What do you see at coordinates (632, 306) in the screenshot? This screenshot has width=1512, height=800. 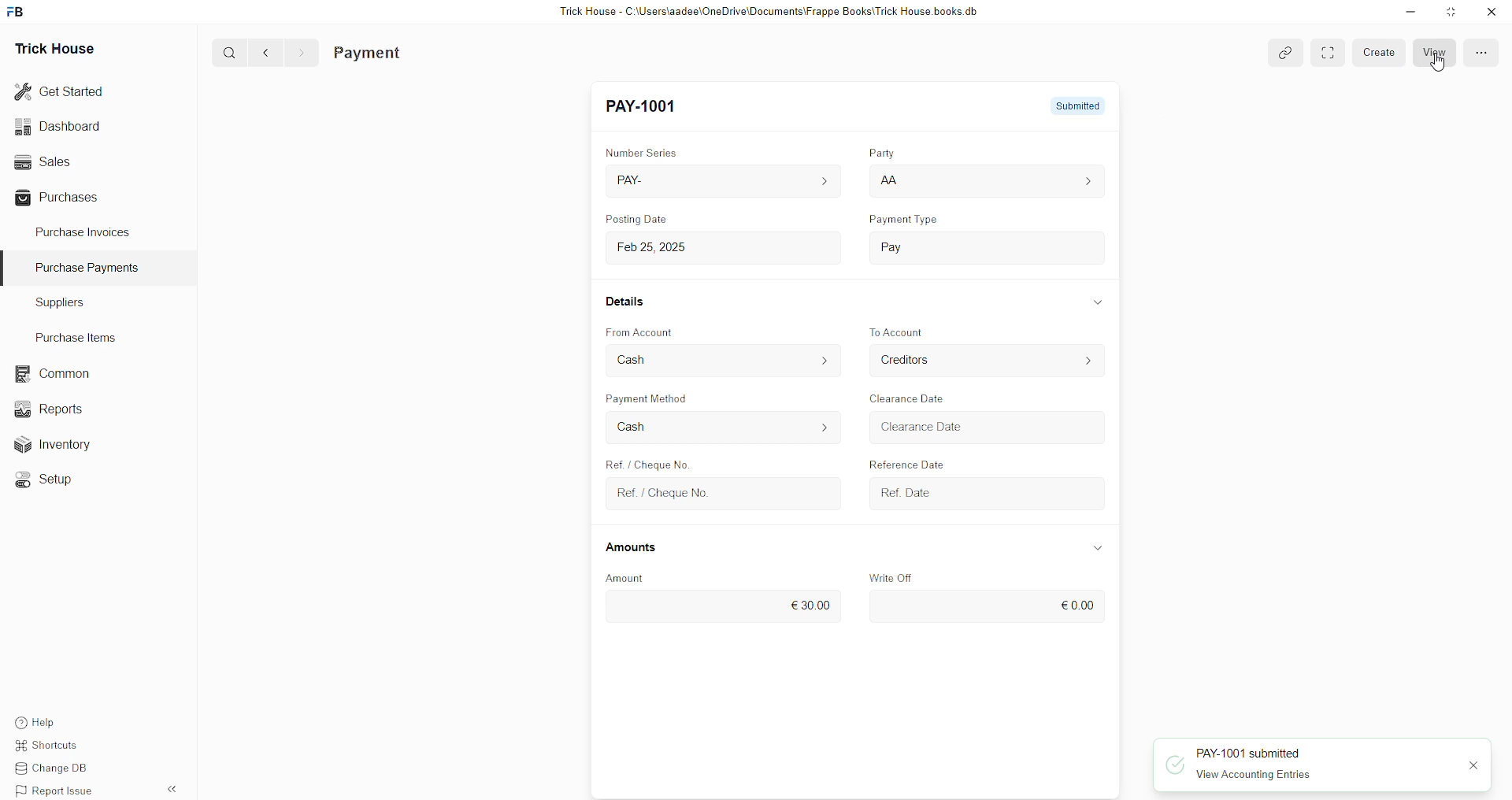 I see `Details` at bounding box center [632, 306].